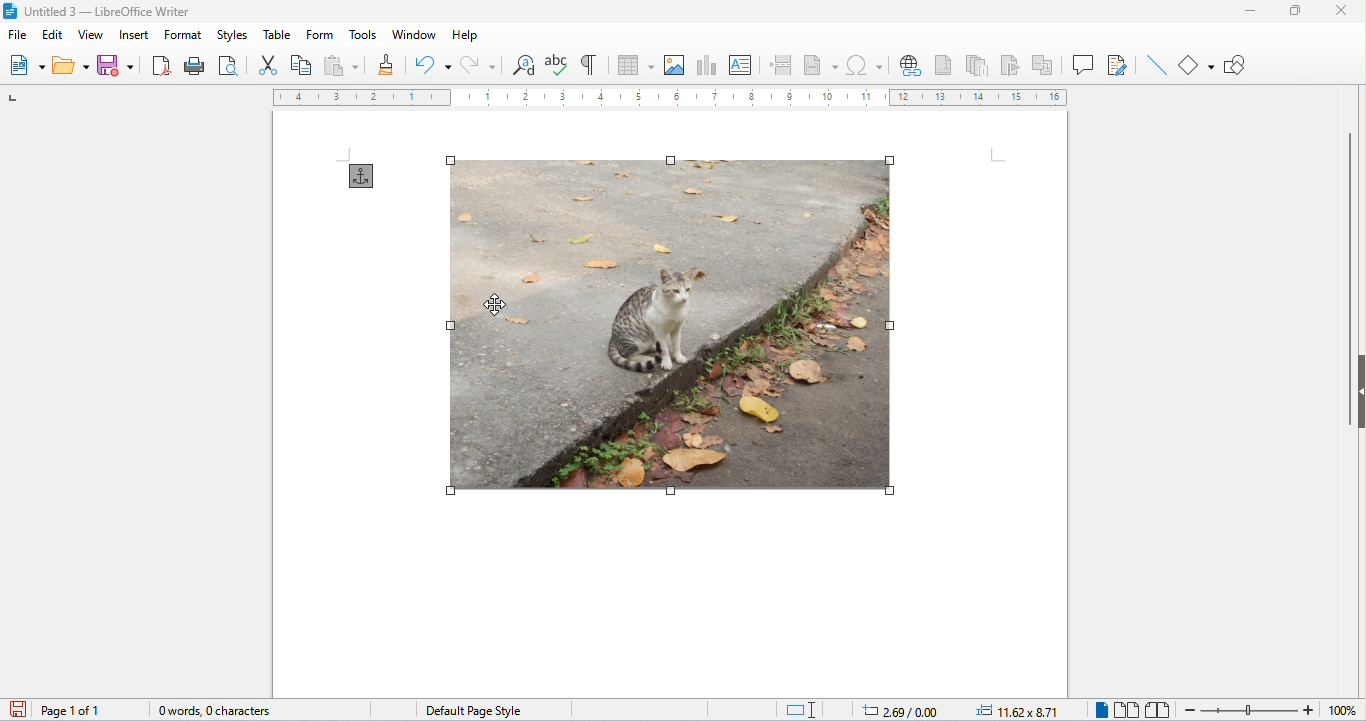  What do you see at coordinates (1045, 65) in the screenshot?
I see `insert cross reference` at bounding box center [1045, 65].